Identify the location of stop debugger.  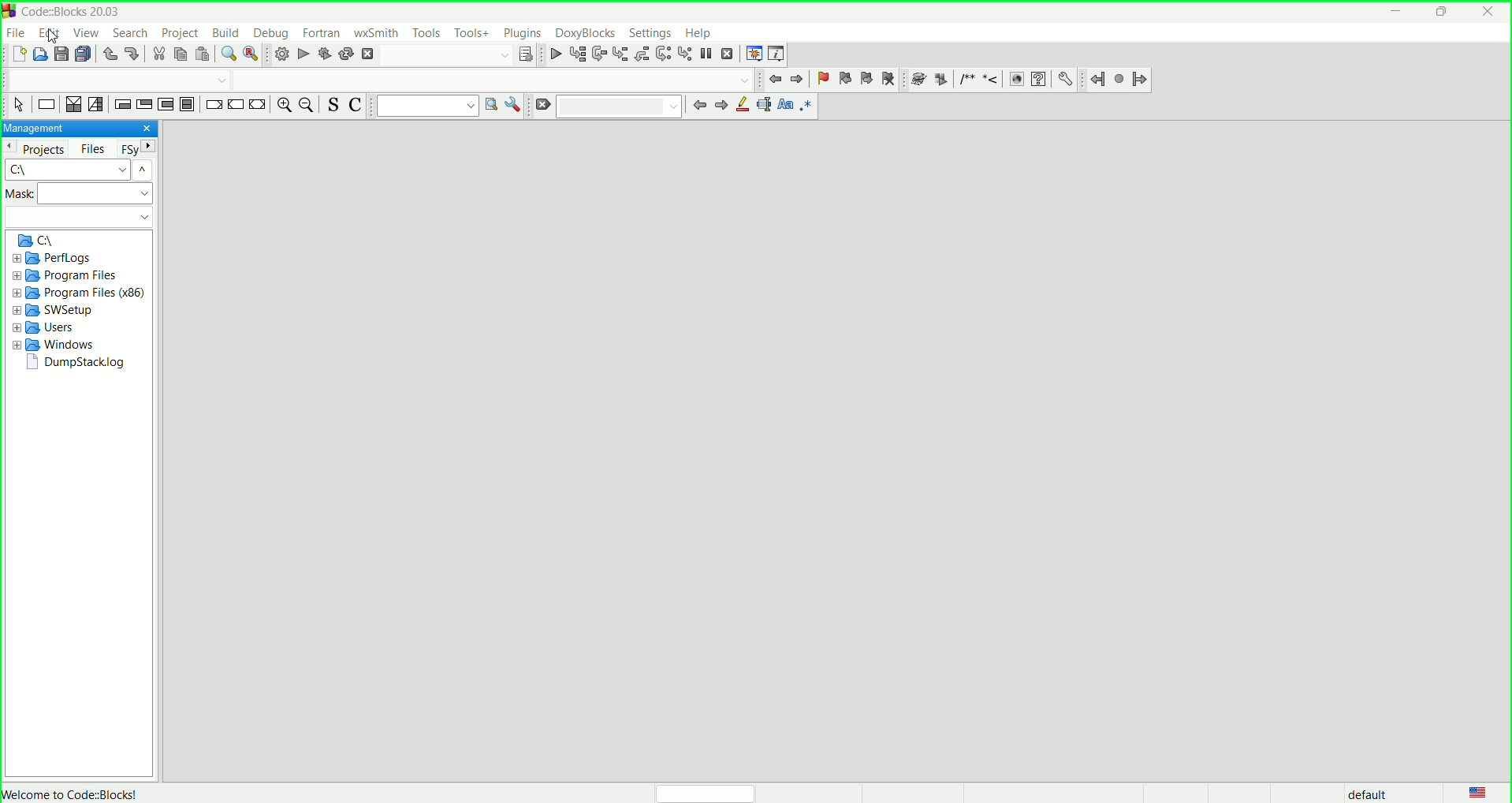
(730, 54).